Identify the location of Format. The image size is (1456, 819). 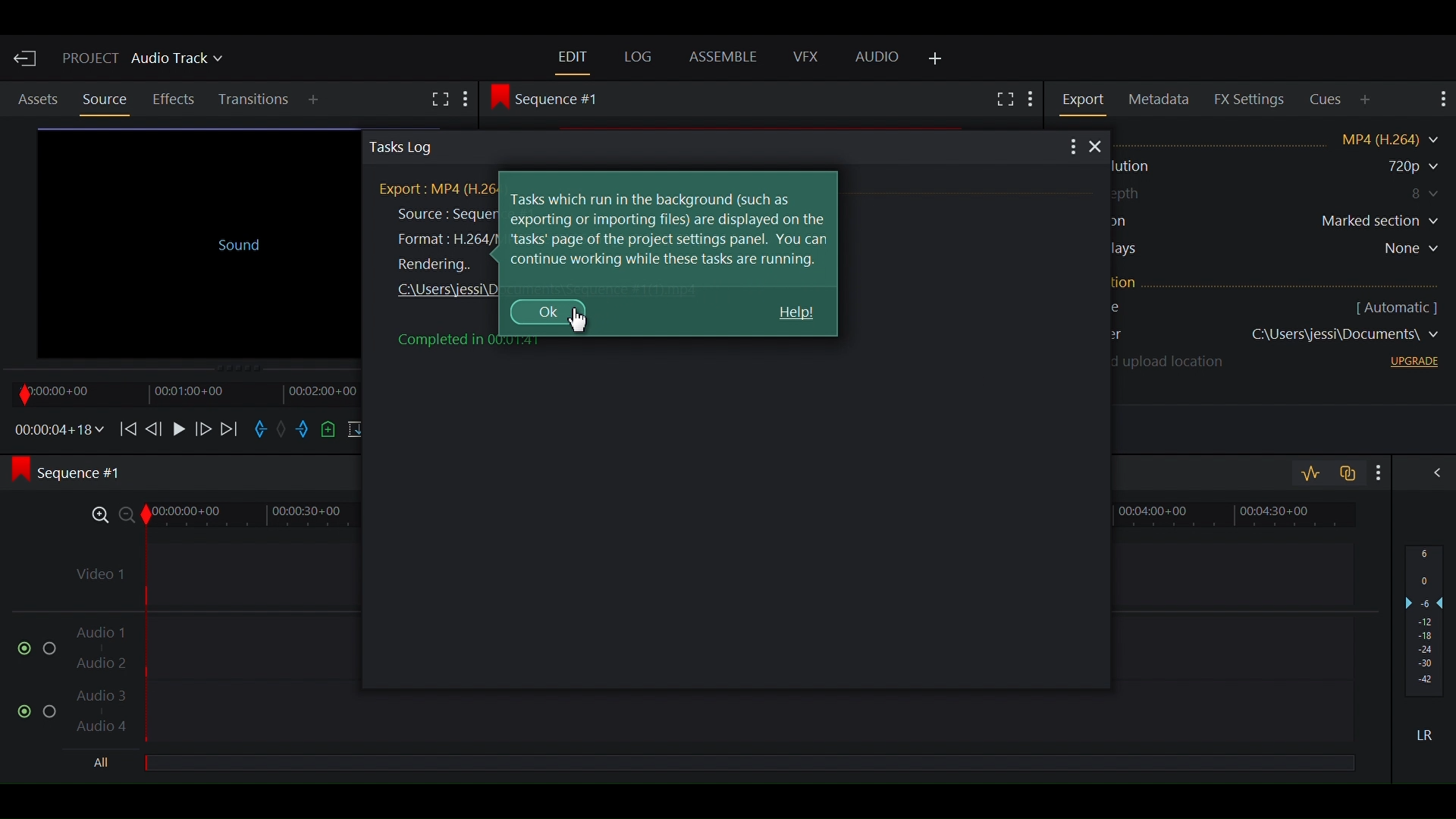
(1285, 138).